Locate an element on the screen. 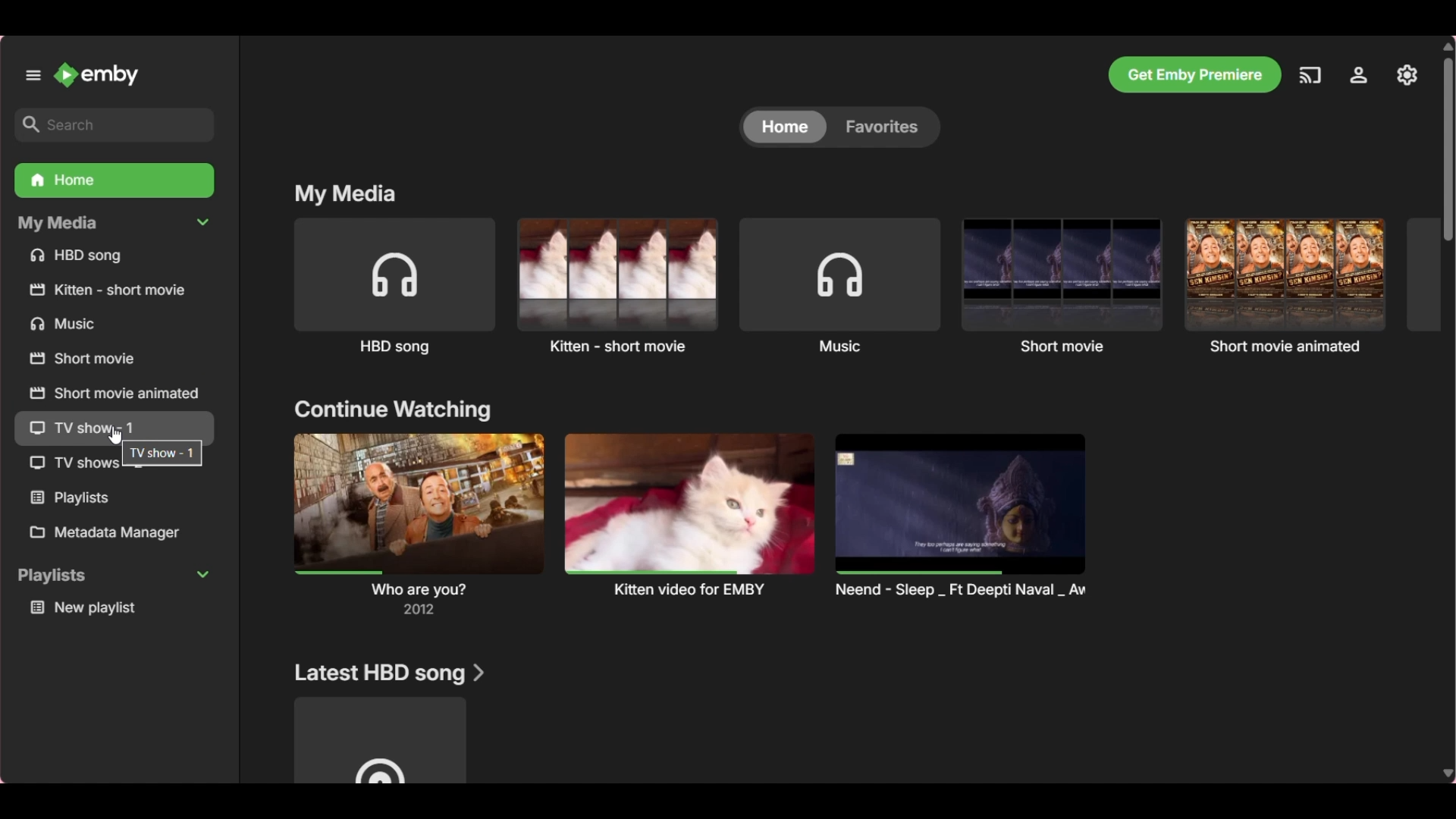  Go to home is located at coordinates (98, 74).